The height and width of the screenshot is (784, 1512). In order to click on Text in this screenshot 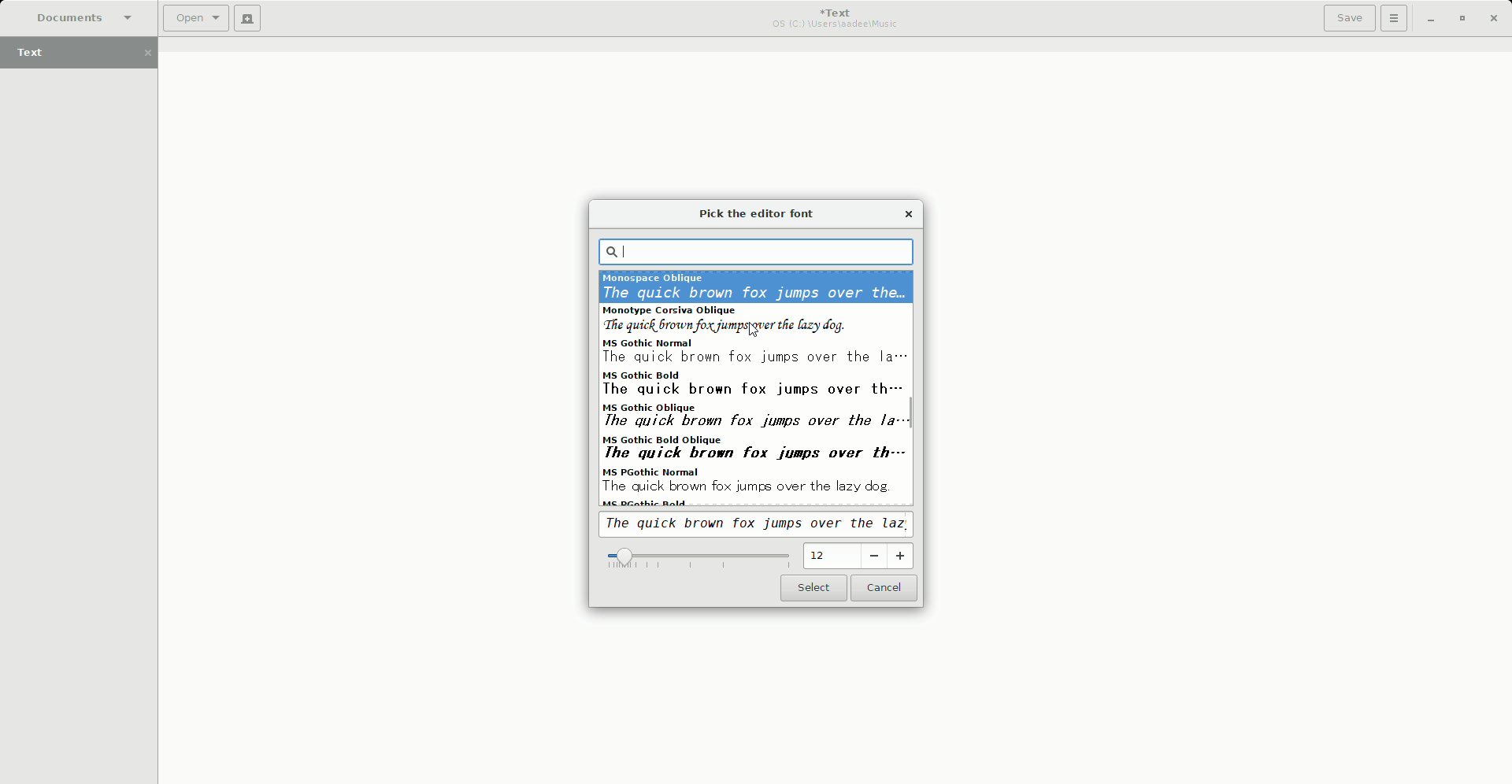, I will do `click(85, 54)`.